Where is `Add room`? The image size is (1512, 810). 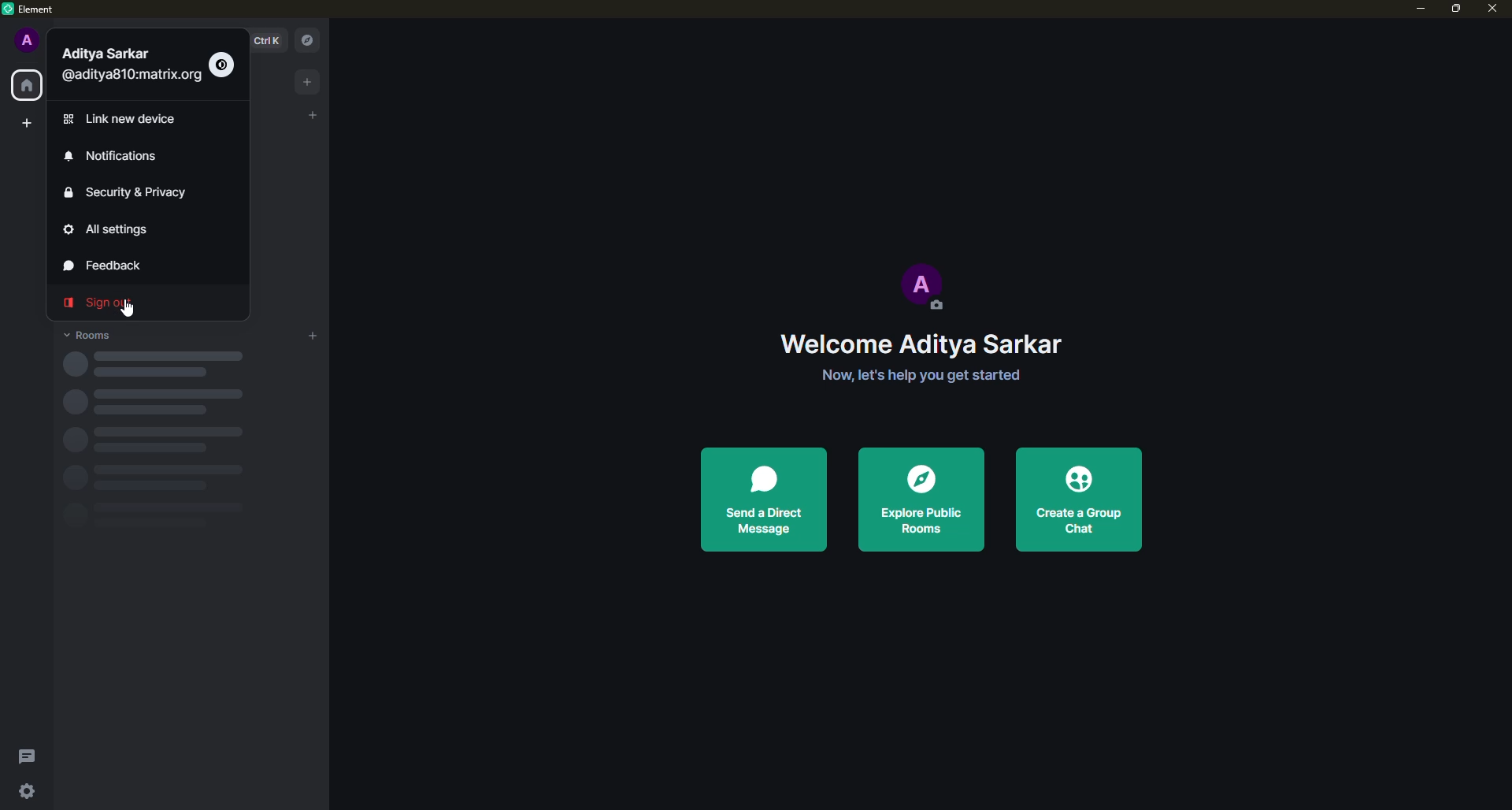 Add room is located at coordinates (318, 336).